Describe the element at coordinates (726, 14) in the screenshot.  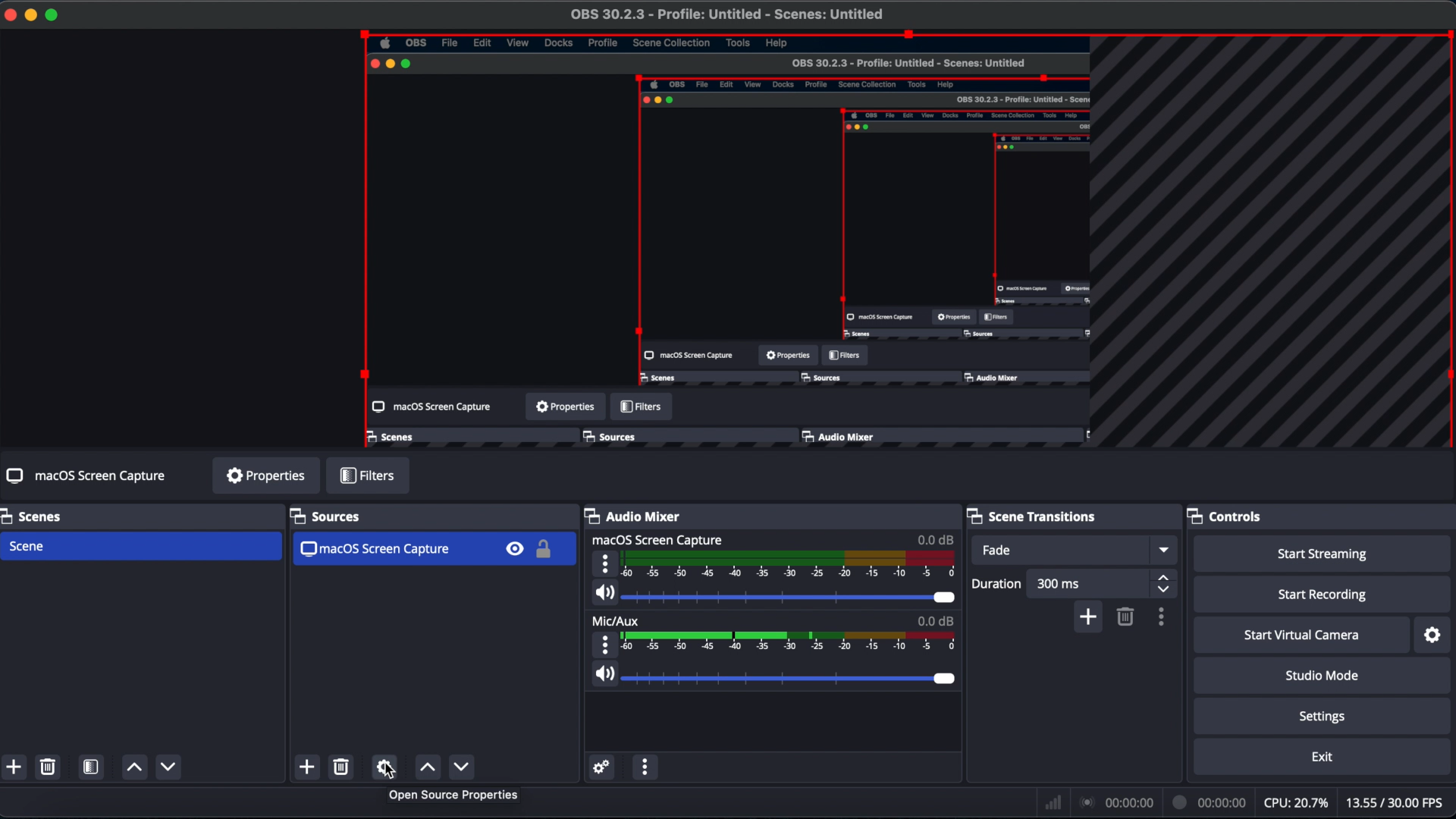
I see `OBS untitled file` at that location.